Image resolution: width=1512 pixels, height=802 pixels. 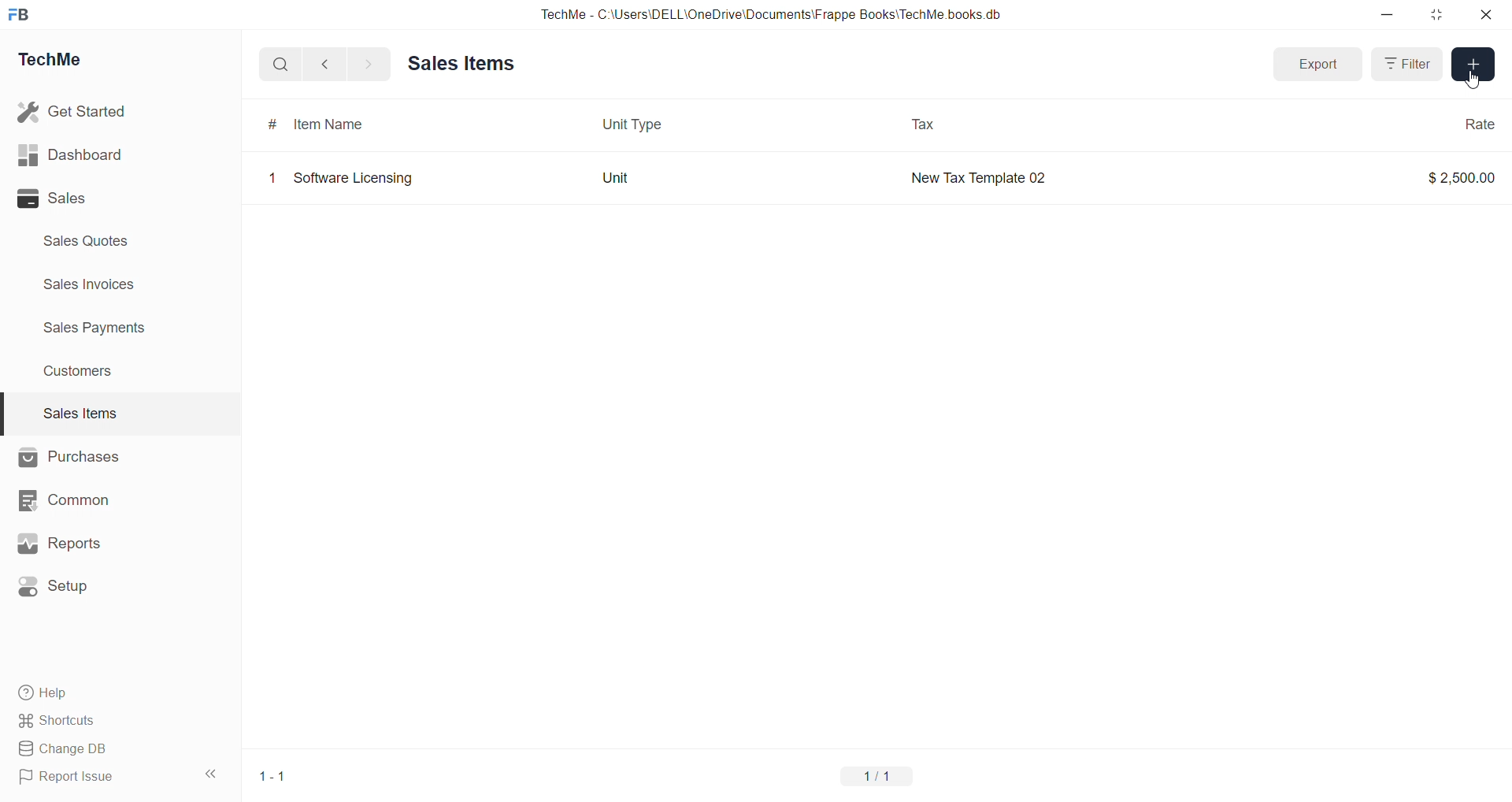 I want to click on Dashboard, so click(x=71, y=154).